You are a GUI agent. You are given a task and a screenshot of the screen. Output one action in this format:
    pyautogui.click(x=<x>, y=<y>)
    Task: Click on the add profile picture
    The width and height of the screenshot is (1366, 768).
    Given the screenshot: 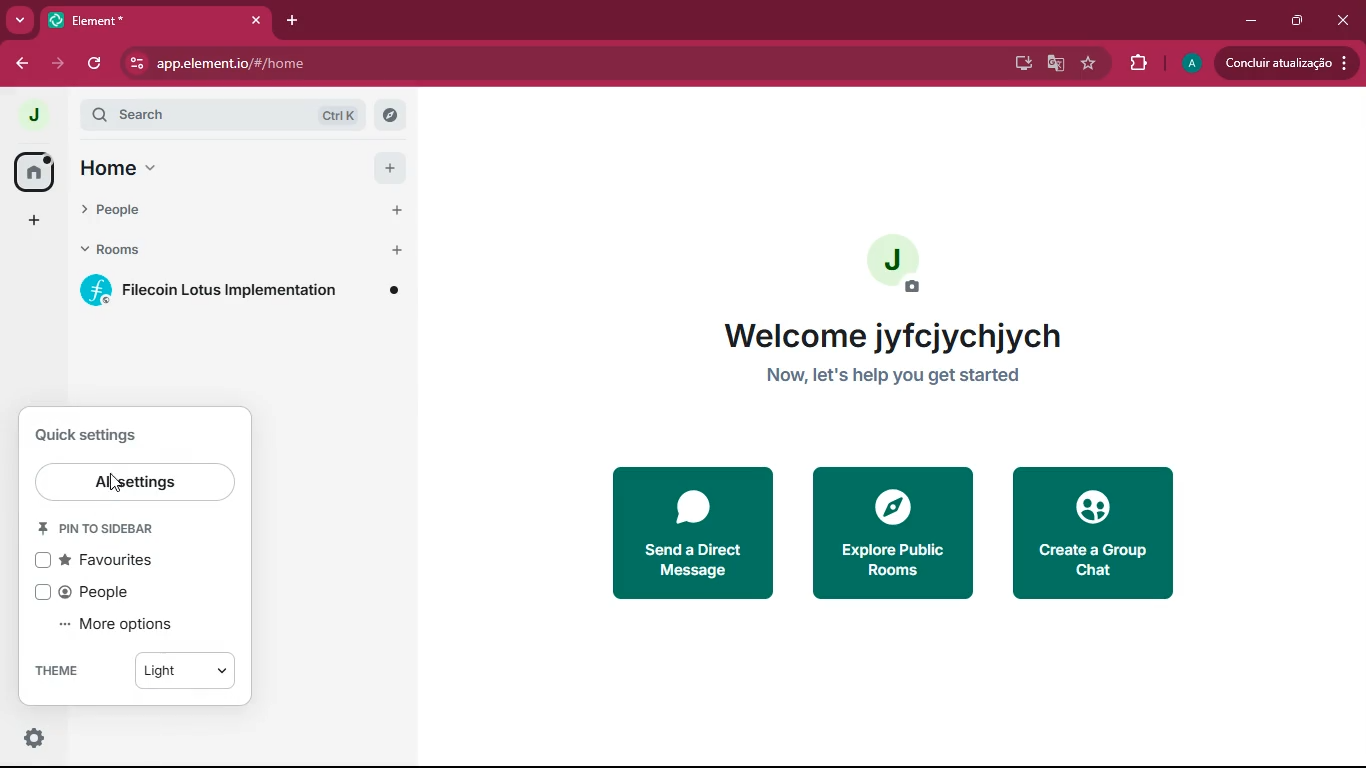 What is the action you would take?
    pyautogui.click(x=900, y=264)
    